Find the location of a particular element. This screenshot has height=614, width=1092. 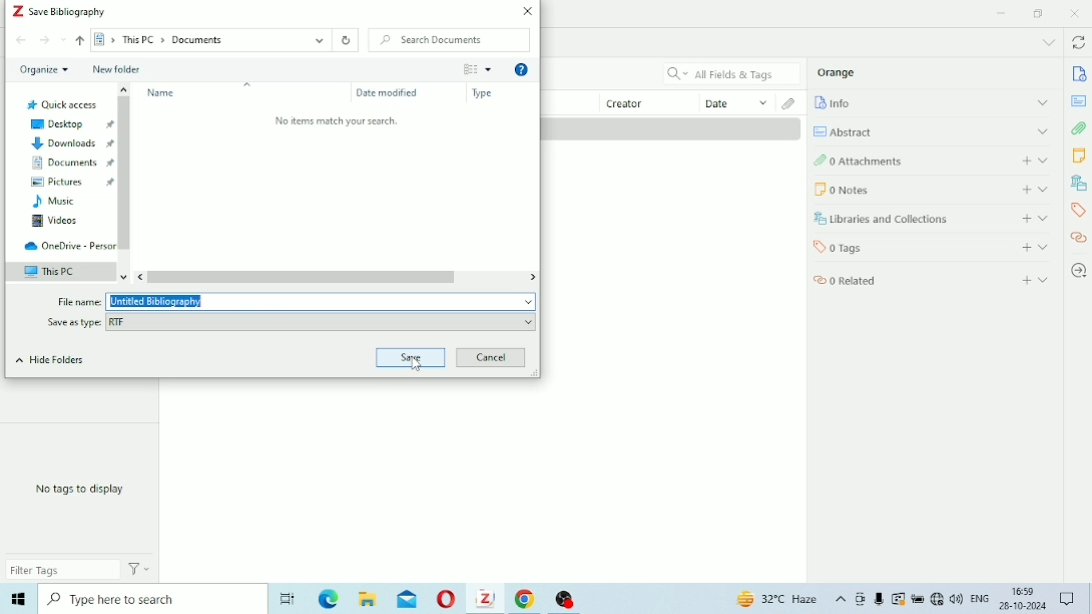

Charging, plugged in is located at coordinates (918, 599).